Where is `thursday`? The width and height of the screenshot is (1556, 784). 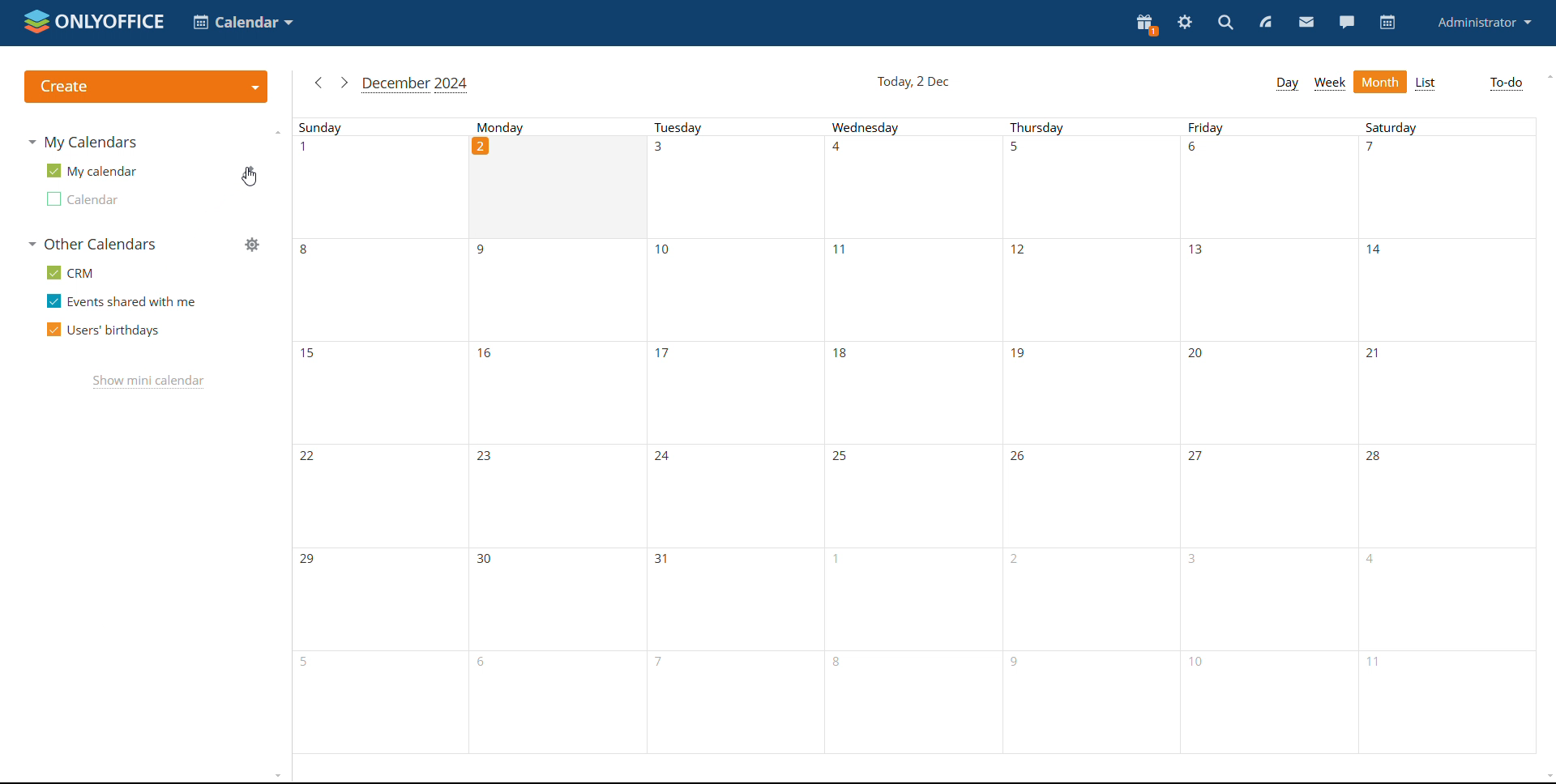 thursday is located at coordinates (1088, 445).